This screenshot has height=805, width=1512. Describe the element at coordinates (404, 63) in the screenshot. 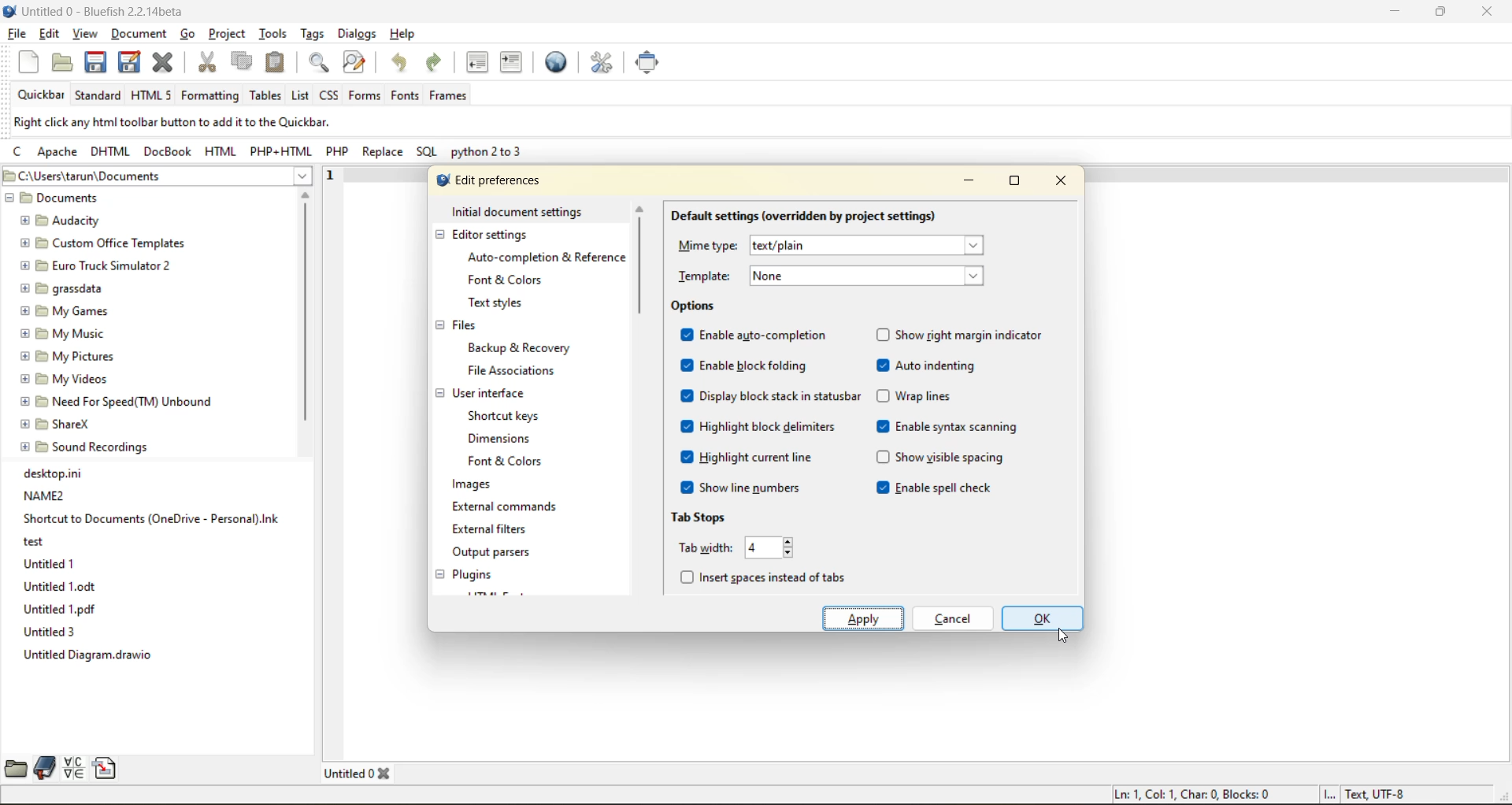

I see `undo` at that location.